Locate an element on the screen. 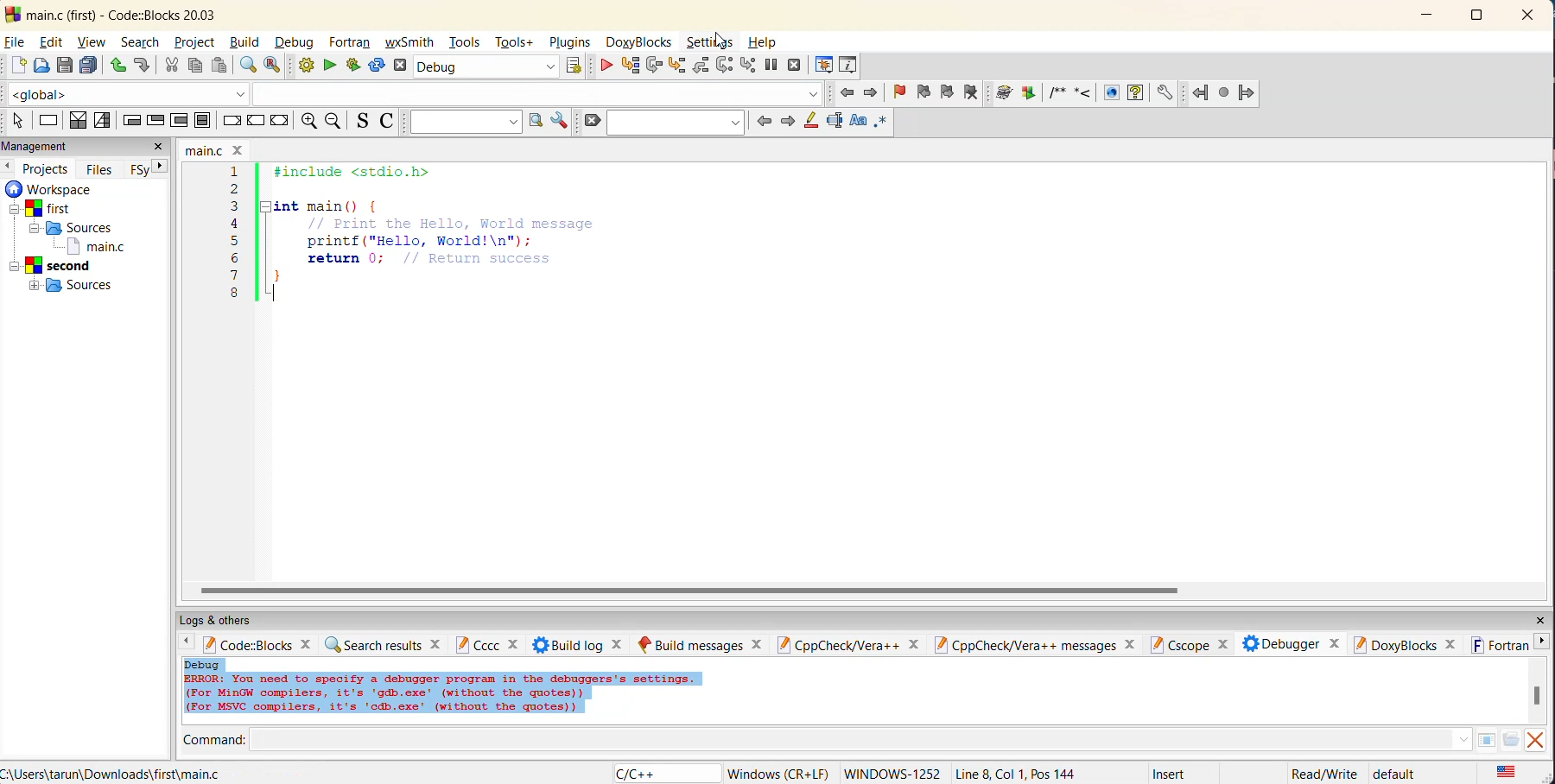  maximize is located at coordinates (1476, 15).